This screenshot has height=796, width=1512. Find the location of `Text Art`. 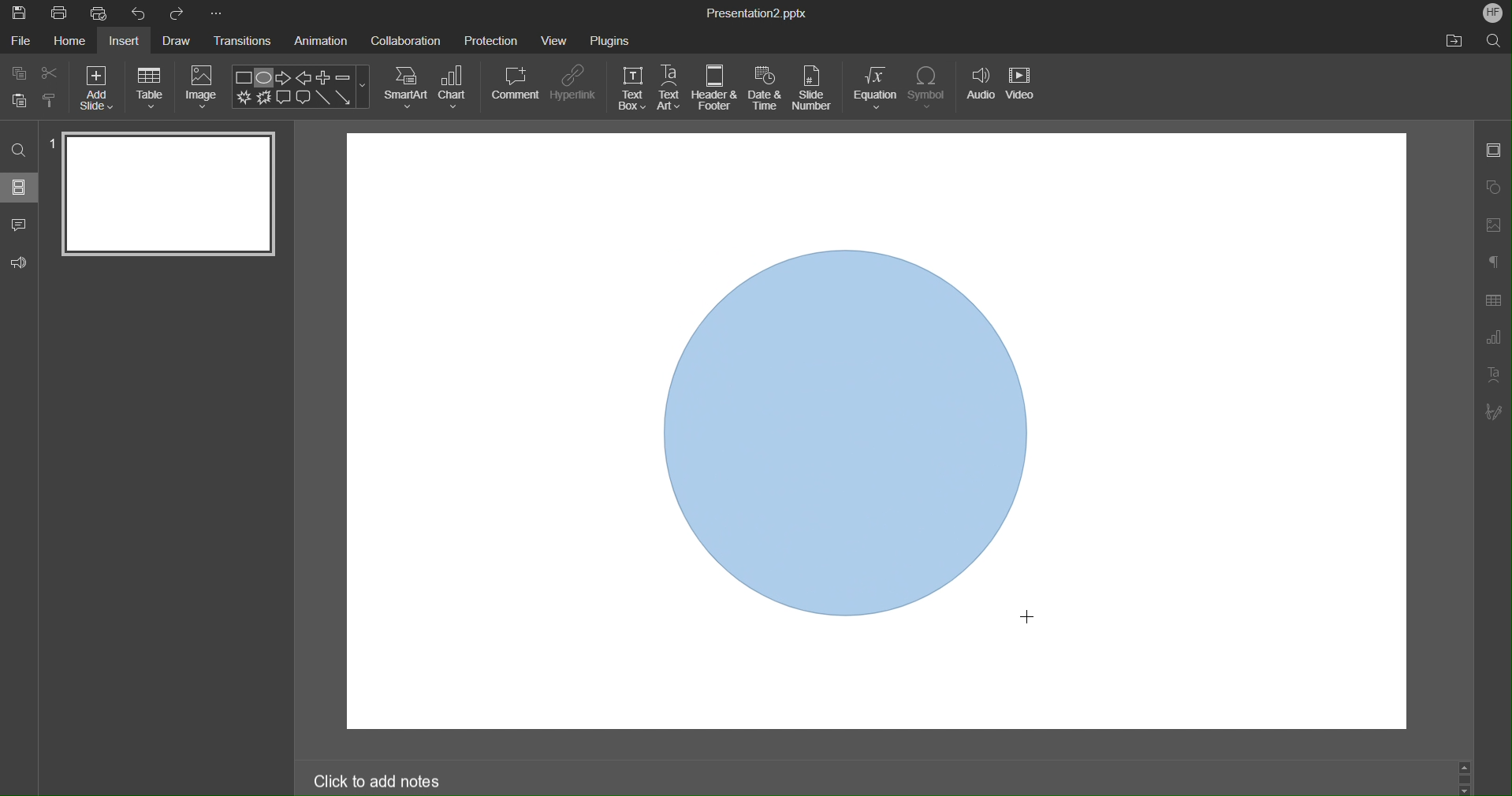

Text Art is located at coordinates (670, 88).